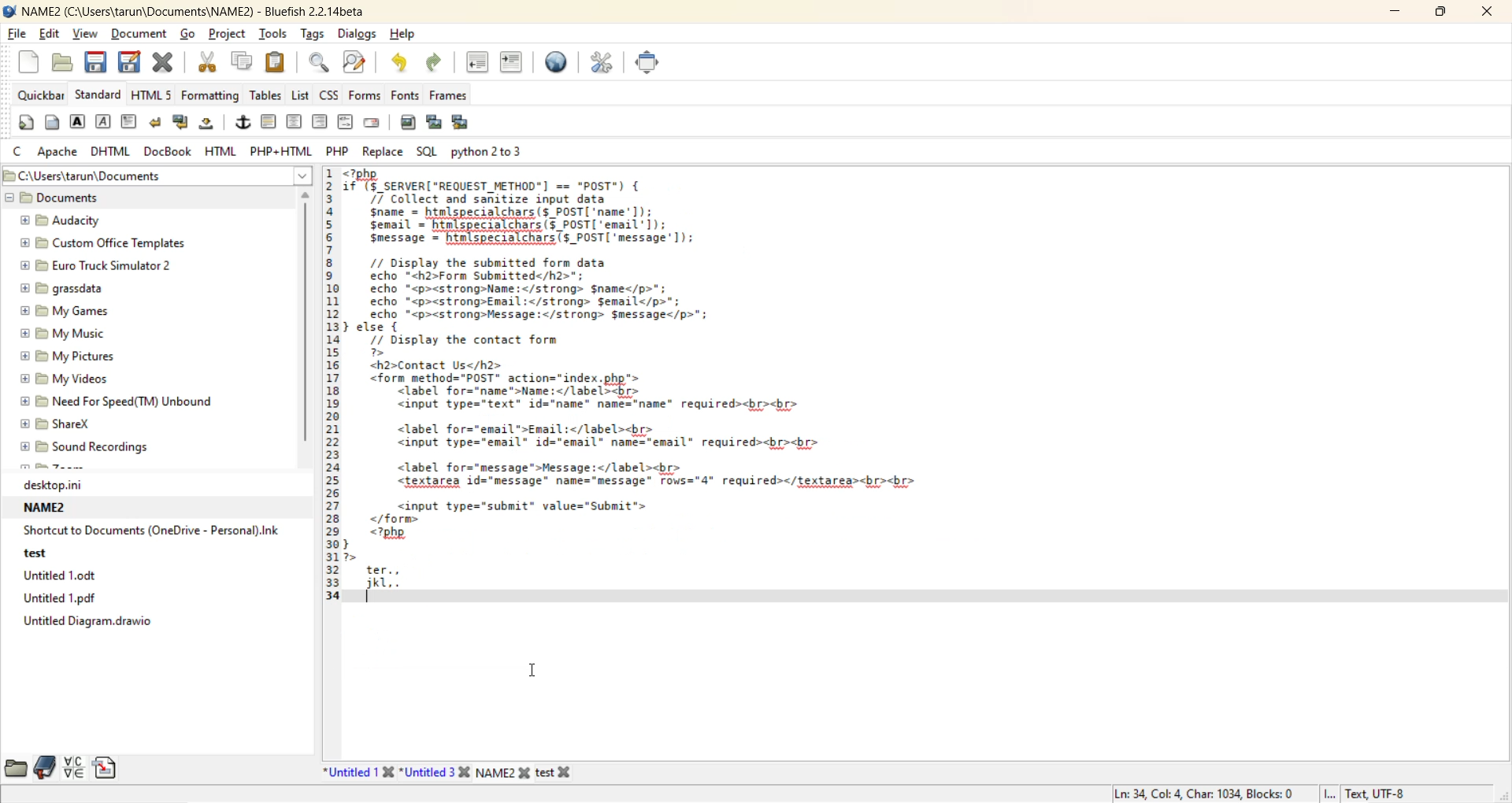  What do you see at coordinates (197, 12) in the screenshot?
I see `file name and app name` at bounding box center [197, 12].